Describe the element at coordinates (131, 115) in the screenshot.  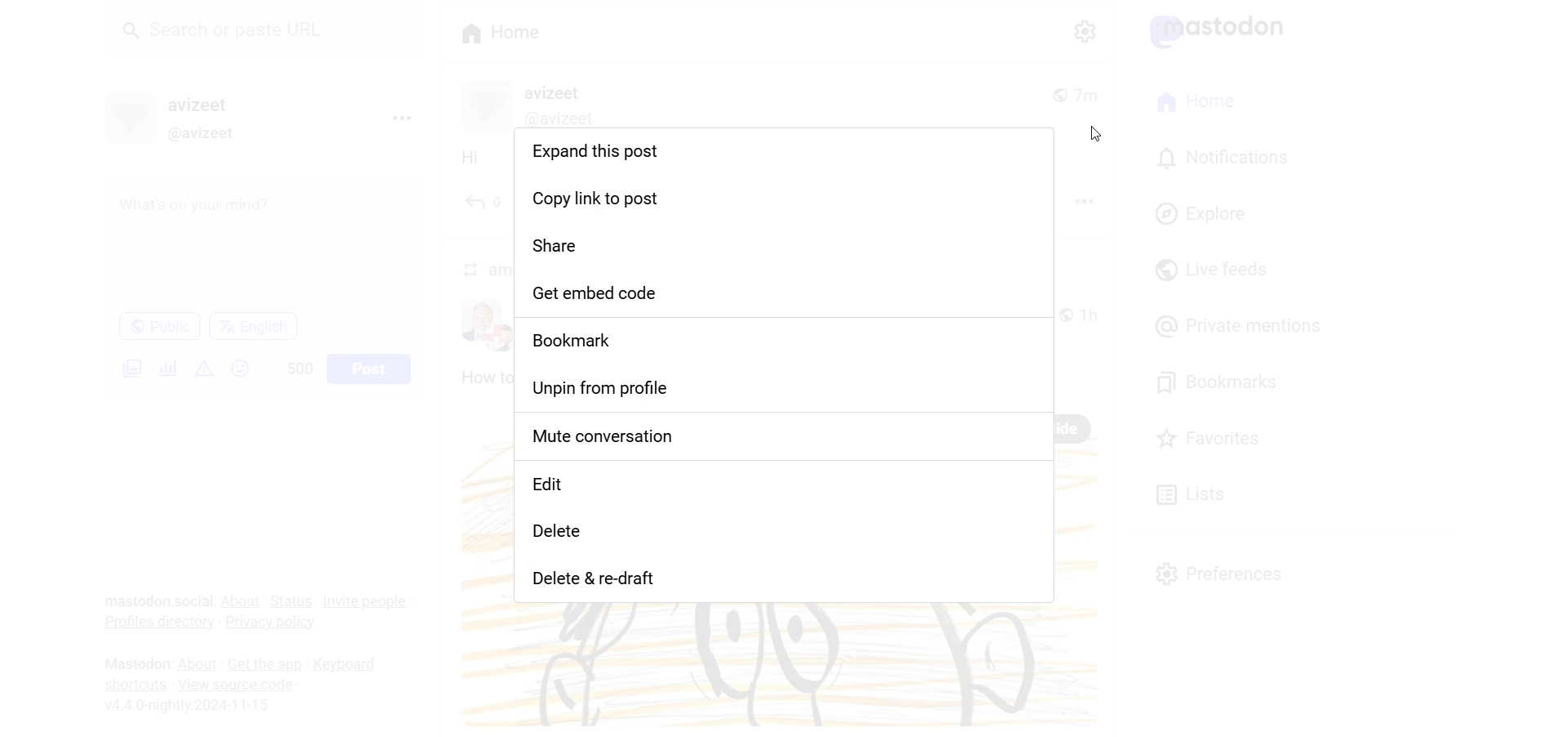
I see `Profile Photo` at that location.